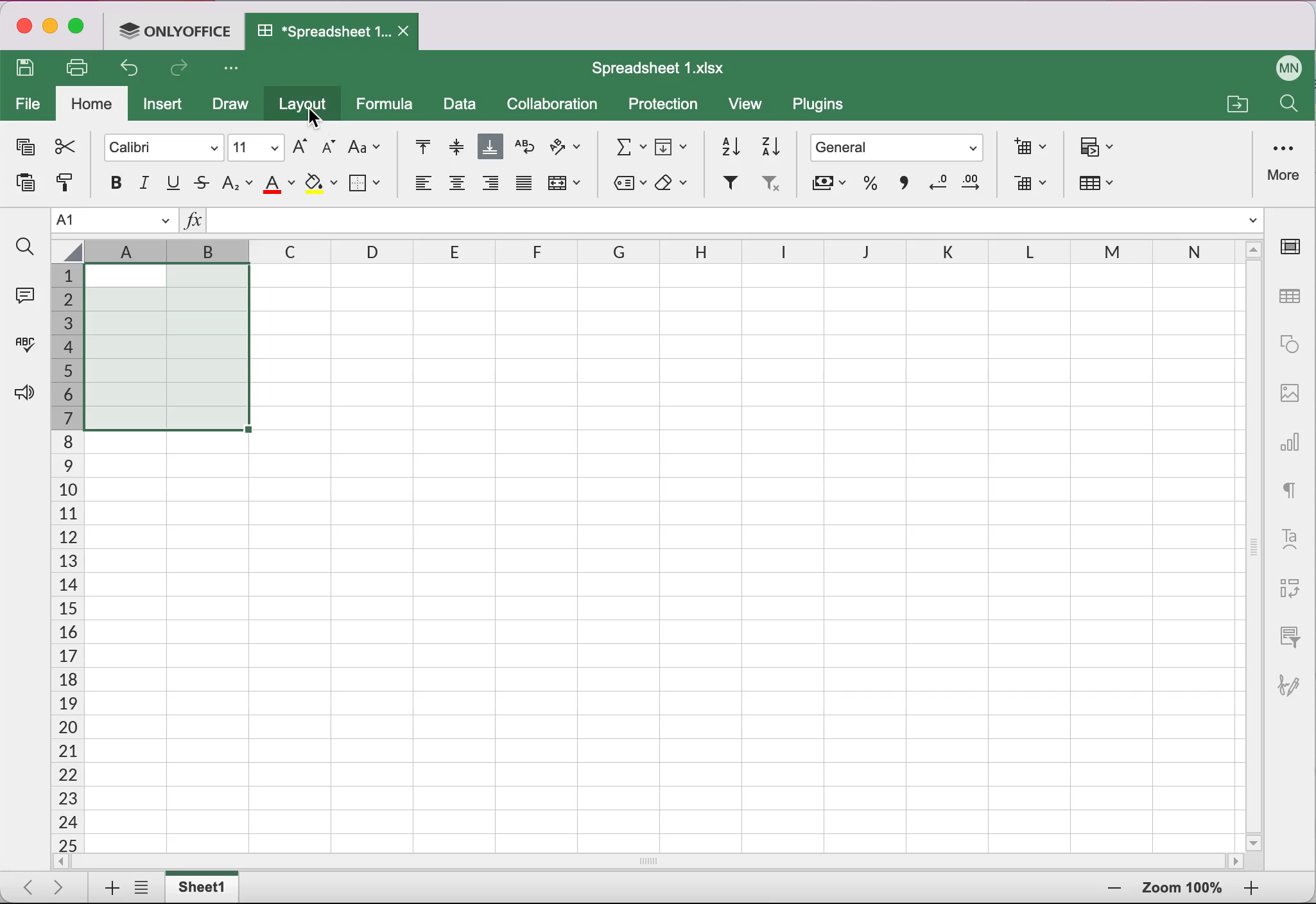 The width and height of the screenshot is (1316, 904). Describe the element at coordinates (675, 184) in the screenshot. I see `clear` at that location.